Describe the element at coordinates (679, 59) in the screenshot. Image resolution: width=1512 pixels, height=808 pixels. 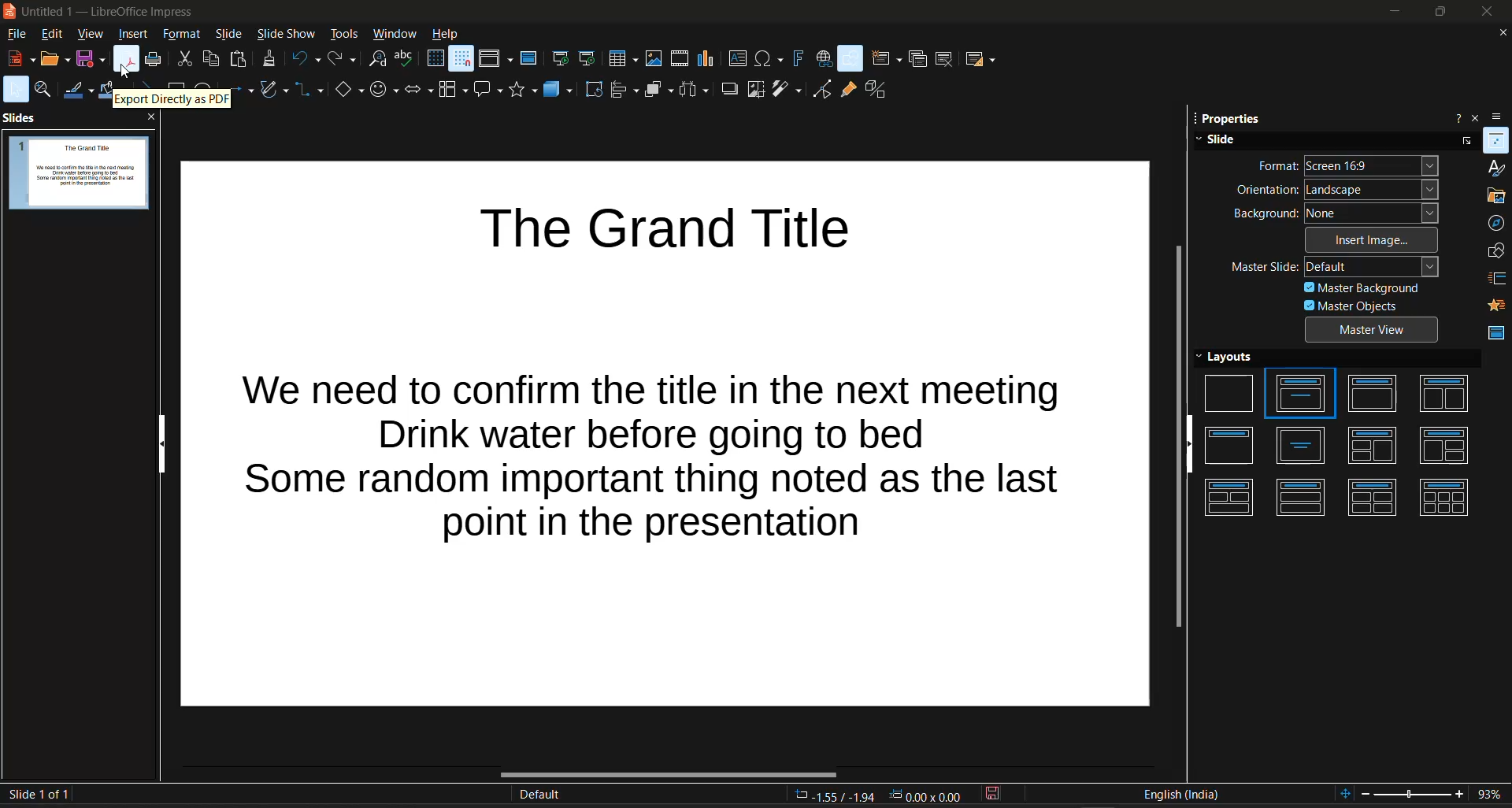
I see `insert audio or video` at that location.